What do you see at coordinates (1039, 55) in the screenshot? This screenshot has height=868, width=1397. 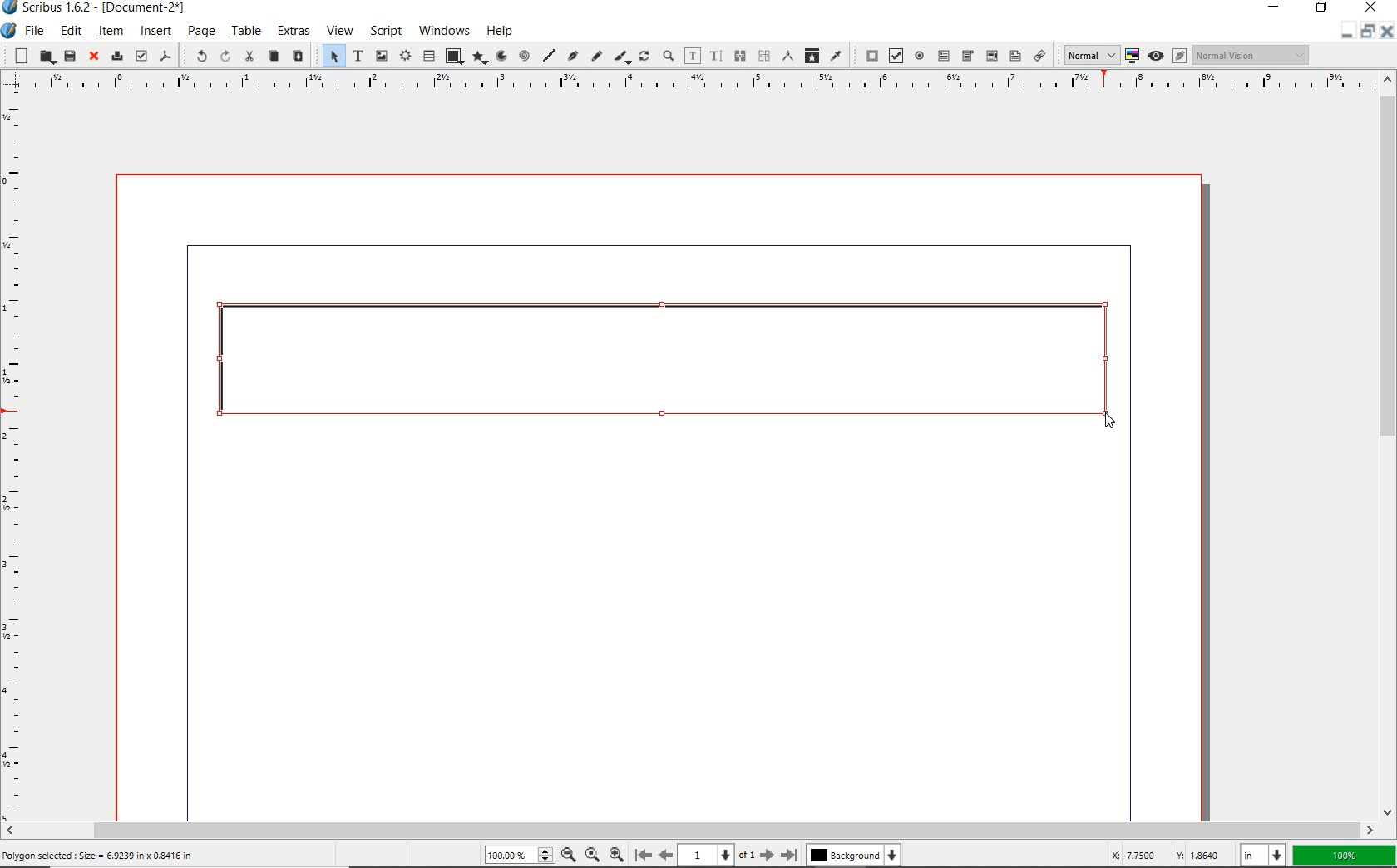 I see `link annotation` at bounding box center [1039, 55].